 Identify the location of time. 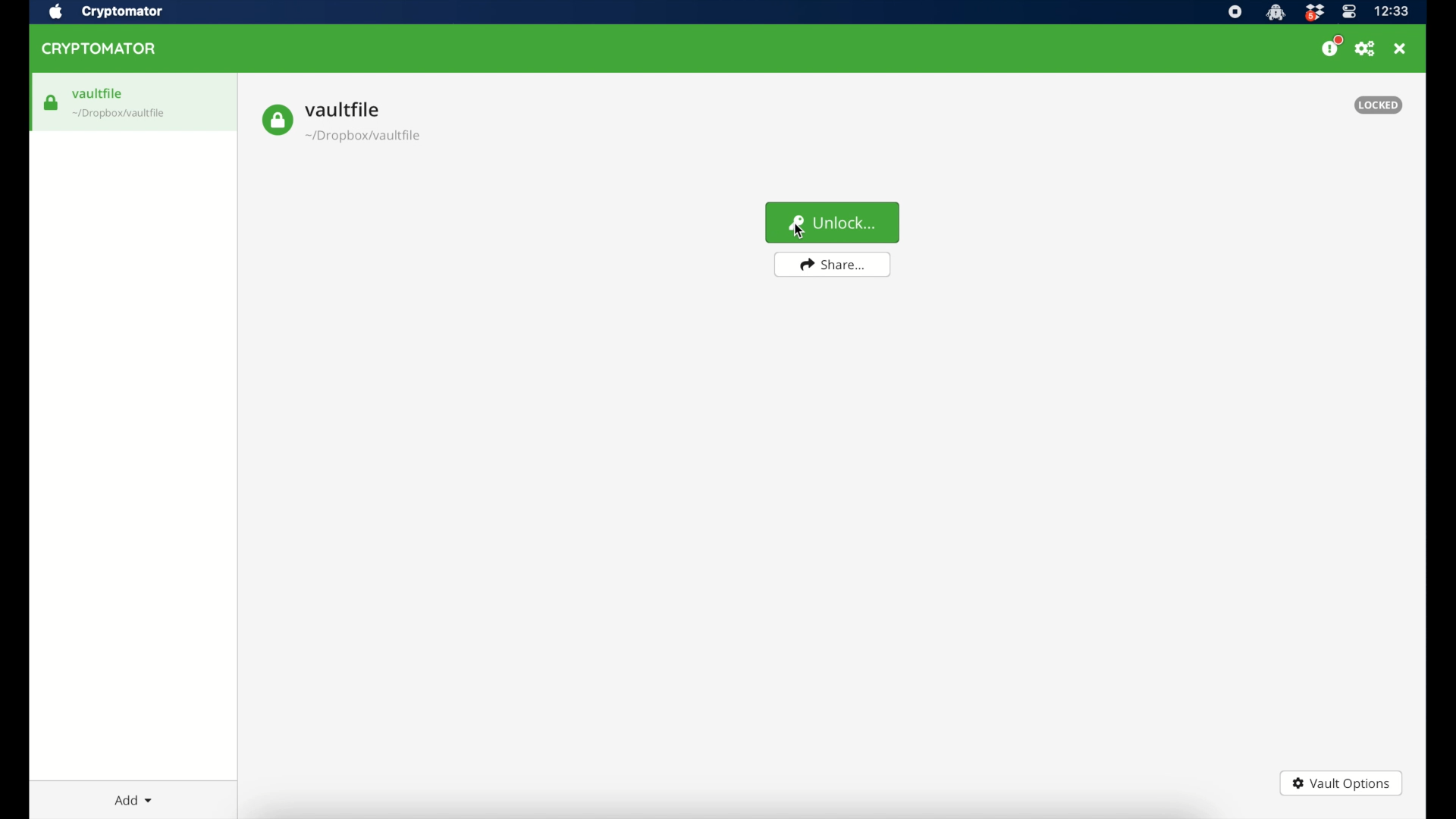
(1393, 11).